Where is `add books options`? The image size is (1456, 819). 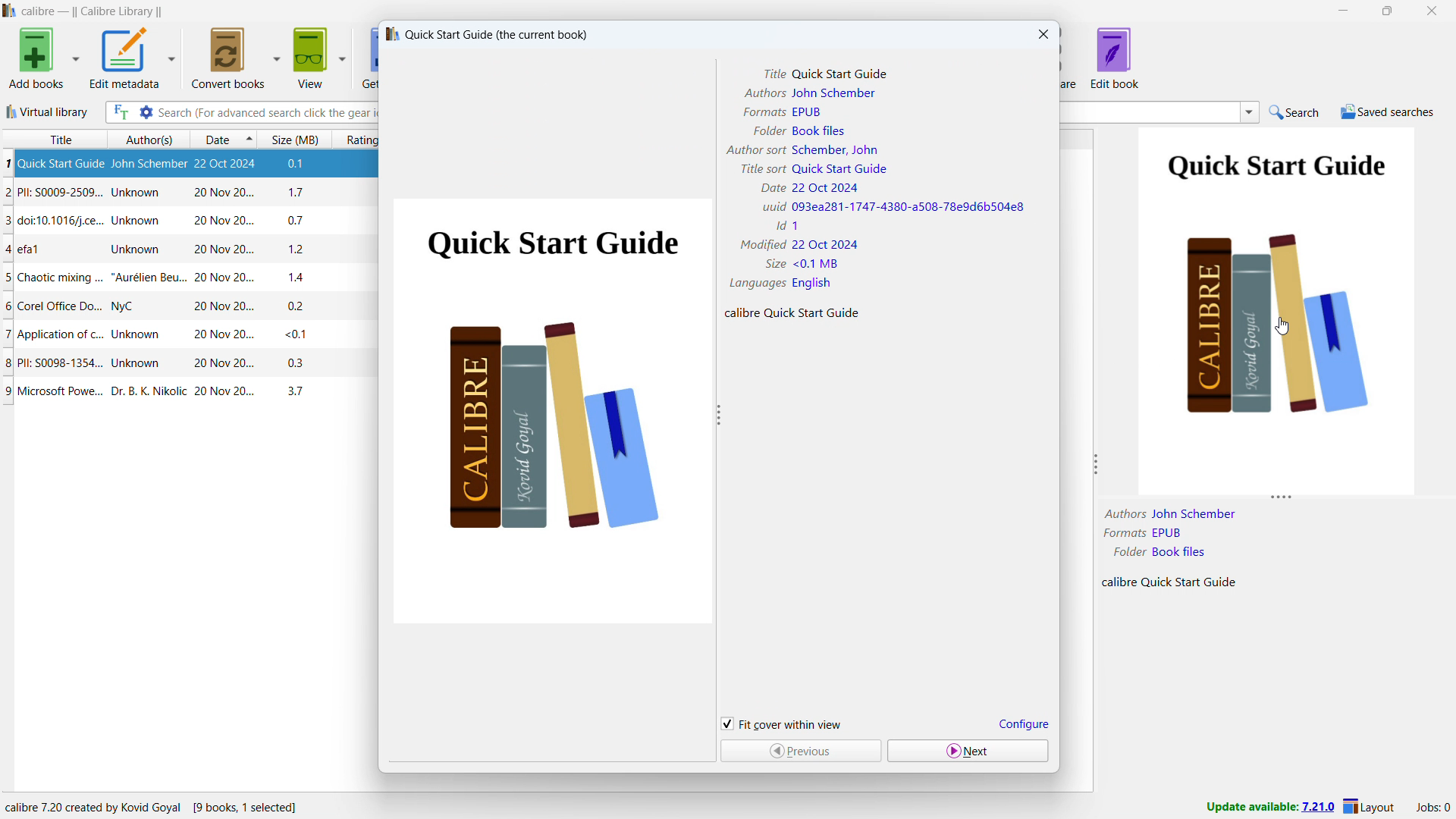 add books options is located at coordinates (75, 59).